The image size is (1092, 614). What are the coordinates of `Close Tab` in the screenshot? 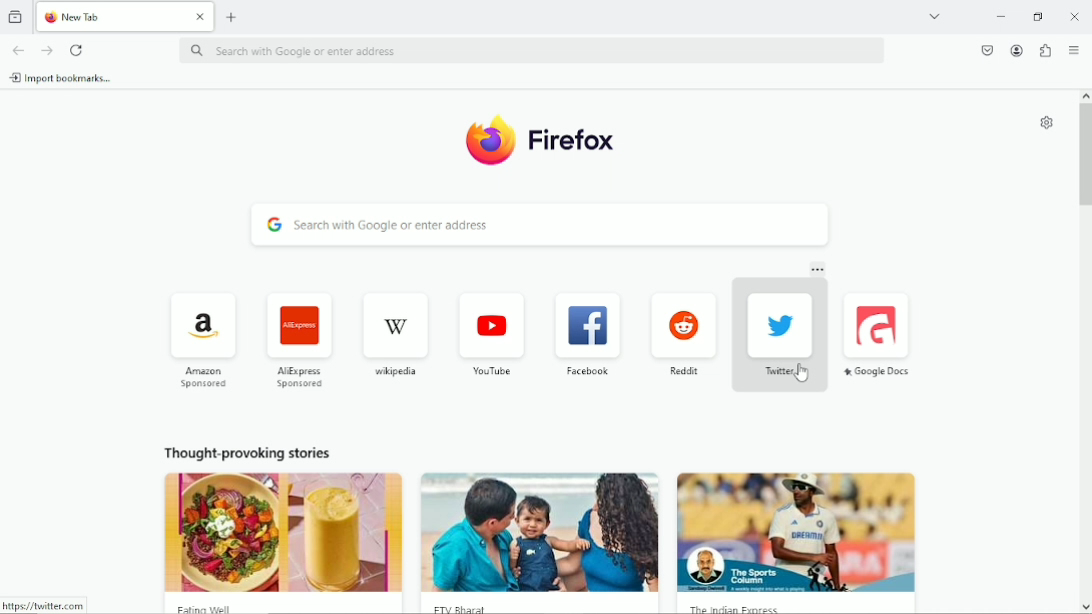 It's located at (201, 17).